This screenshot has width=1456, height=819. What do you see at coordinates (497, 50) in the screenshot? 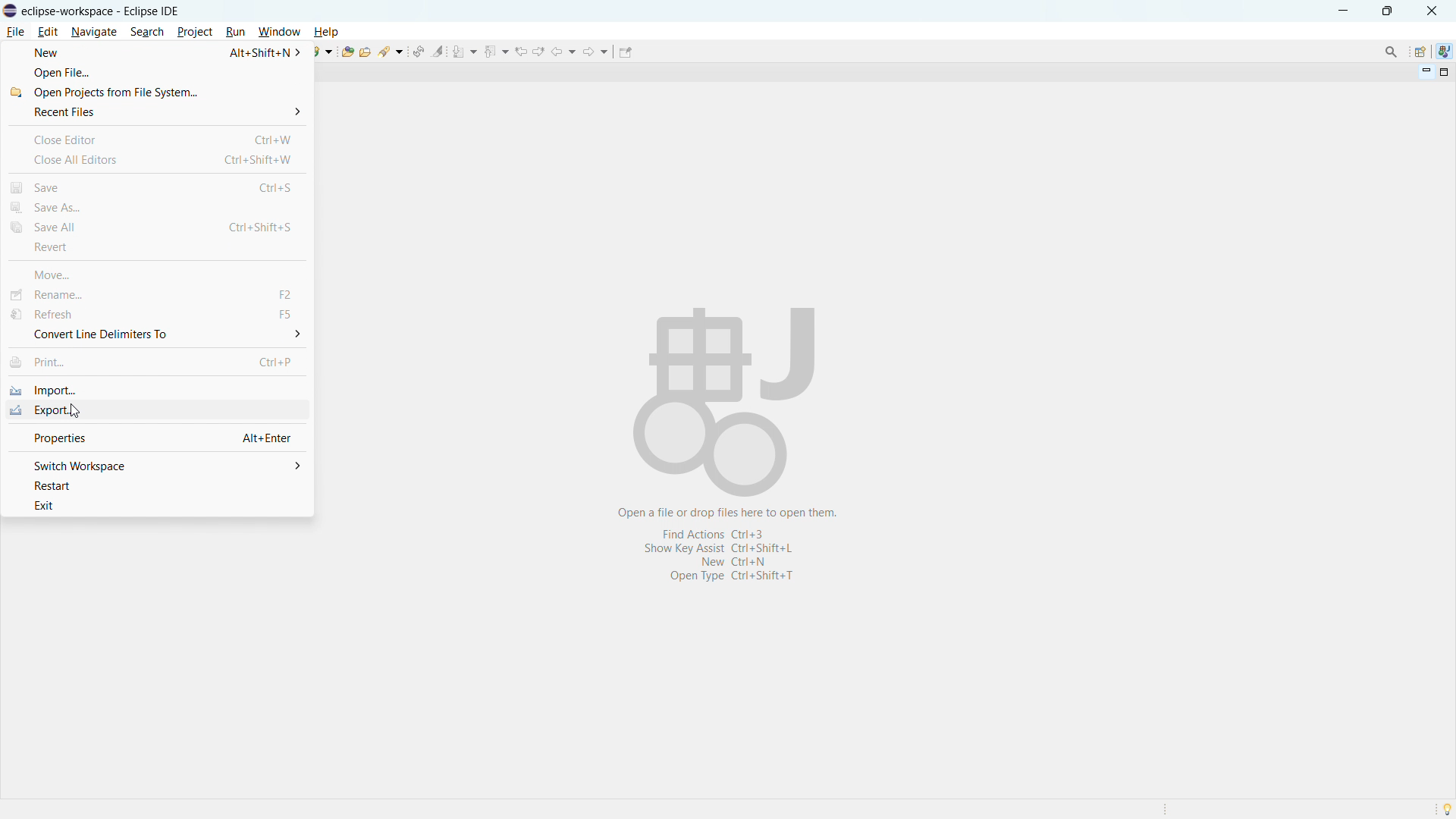
I see `previous annotation` at bounding box center [497, 50].